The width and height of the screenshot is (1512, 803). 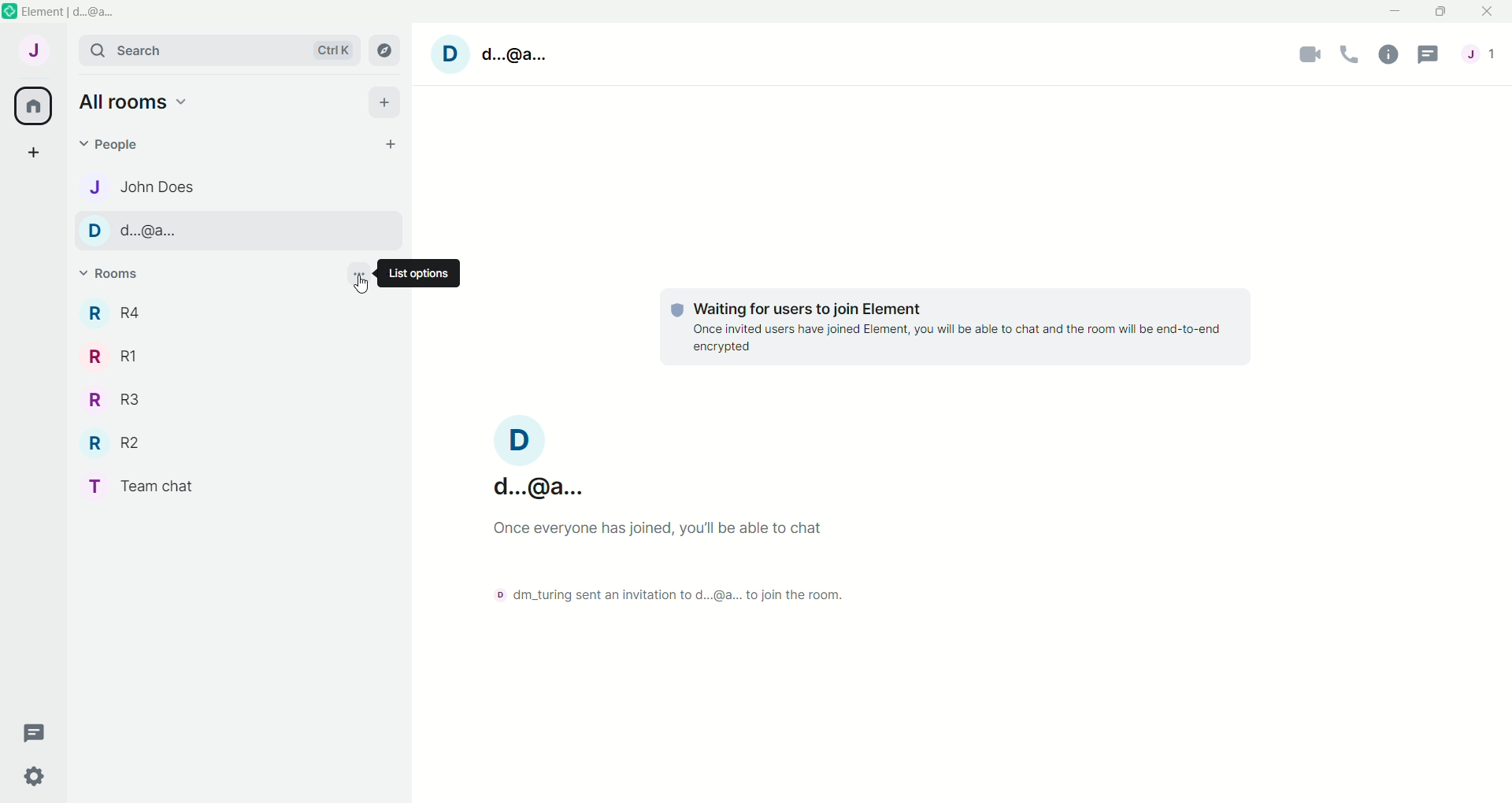 What do you see at coordinates (1438, 11) in the screenshot?
I see `Maximize` at bounding box center [1438, 11].